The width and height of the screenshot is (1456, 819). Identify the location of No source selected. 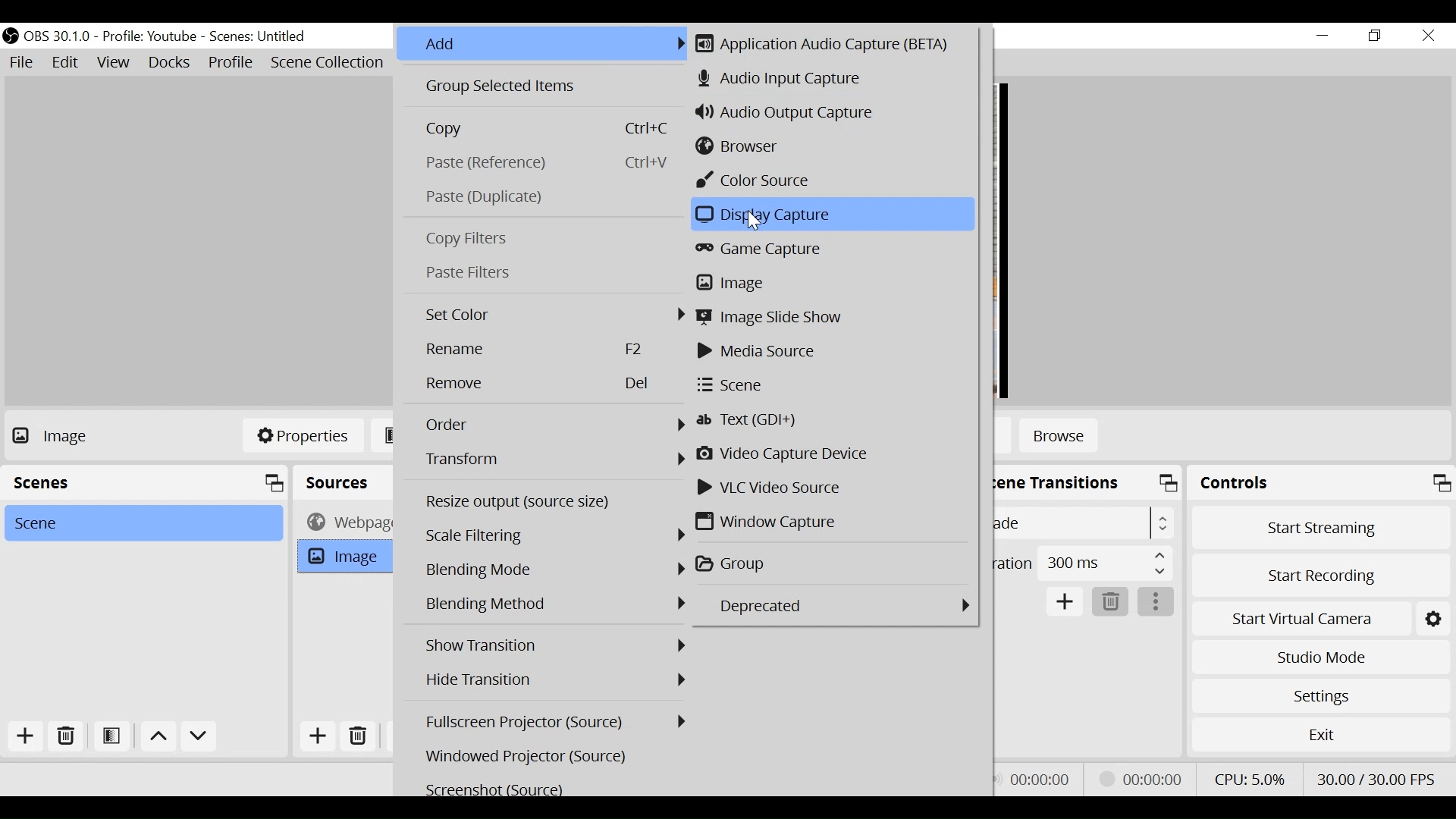
(79, 435).